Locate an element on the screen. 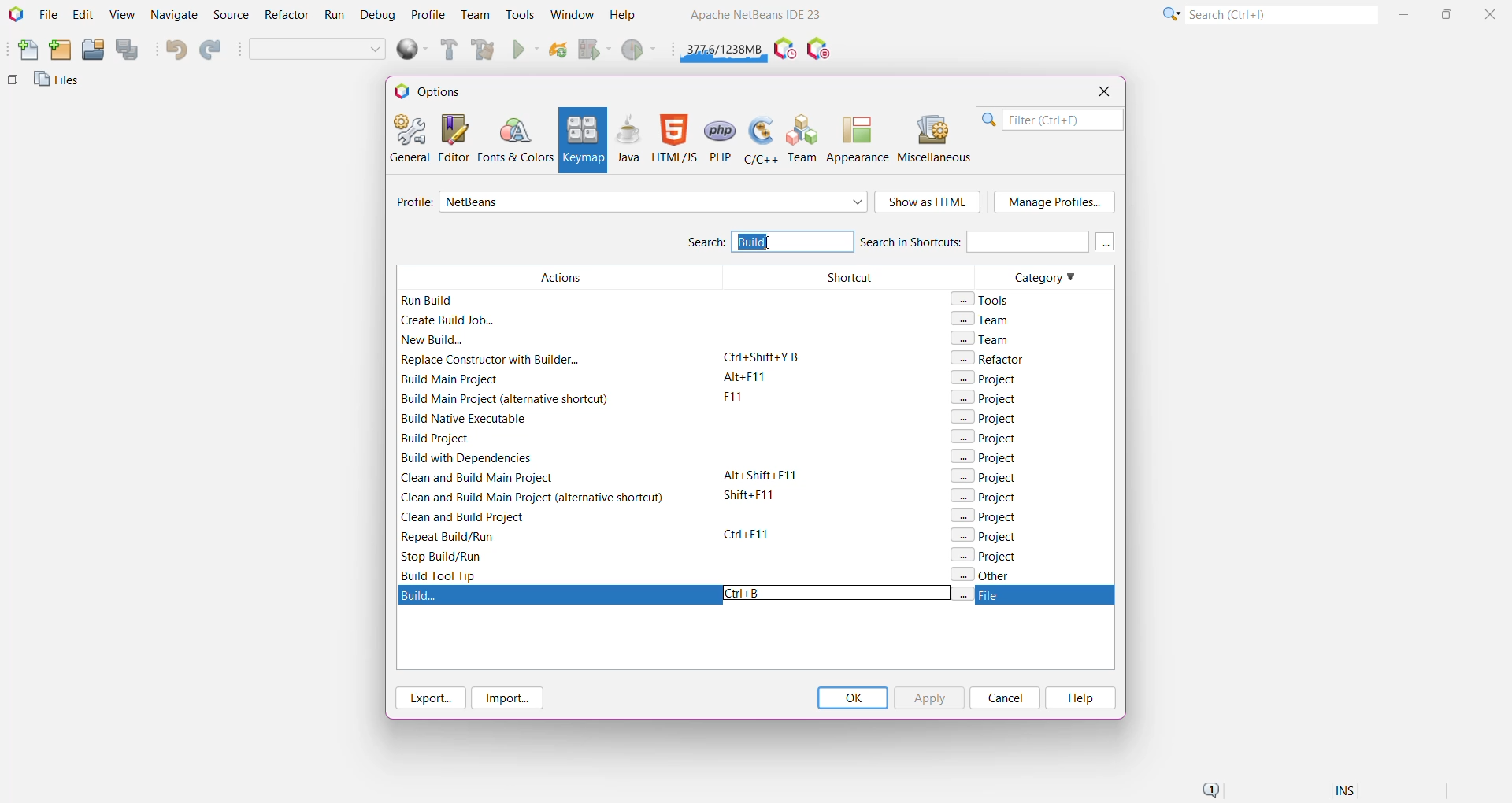  Filter is located at coordinates (1052, 120).